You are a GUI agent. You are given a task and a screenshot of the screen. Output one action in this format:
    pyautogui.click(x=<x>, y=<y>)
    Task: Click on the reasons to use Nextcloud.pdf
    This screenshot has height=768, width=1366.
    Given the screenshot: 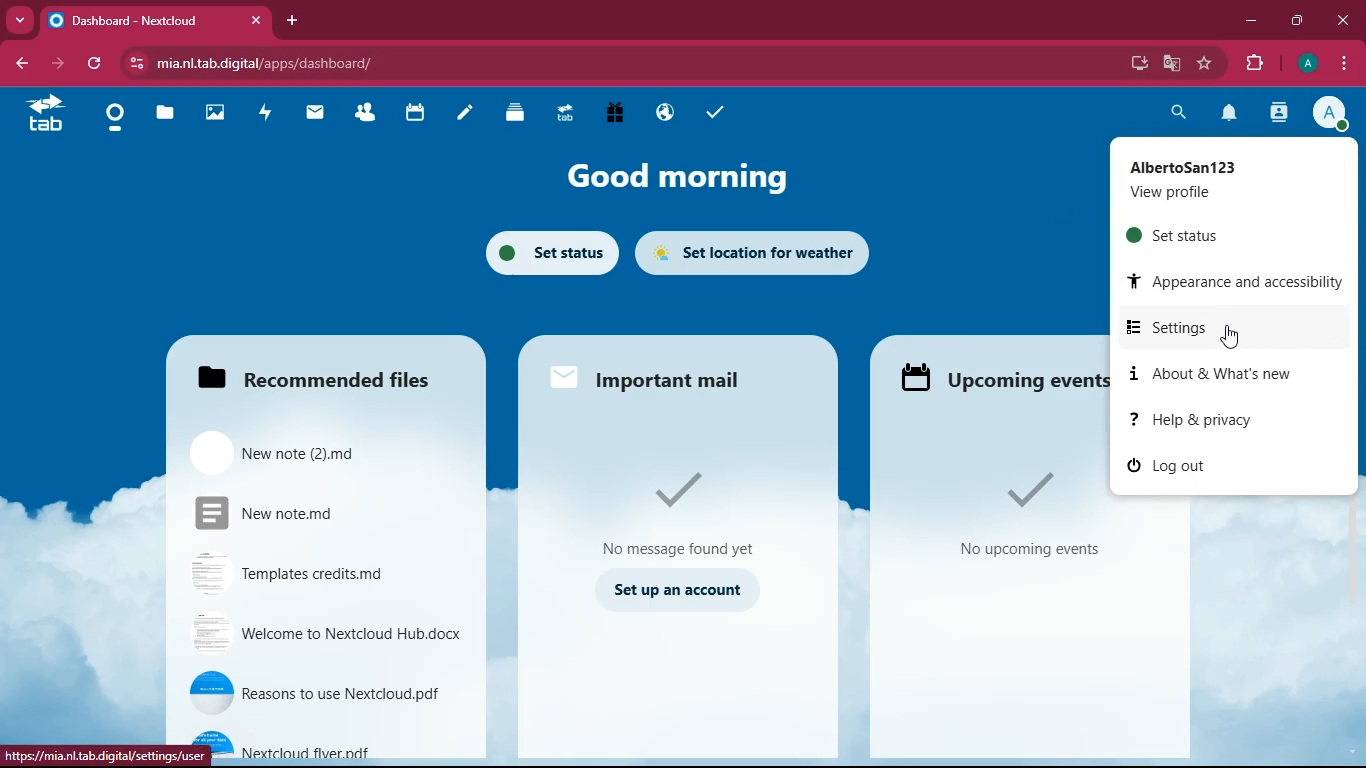 What is the action you would take?
    pyautogui.click(x=326, y=694)
    